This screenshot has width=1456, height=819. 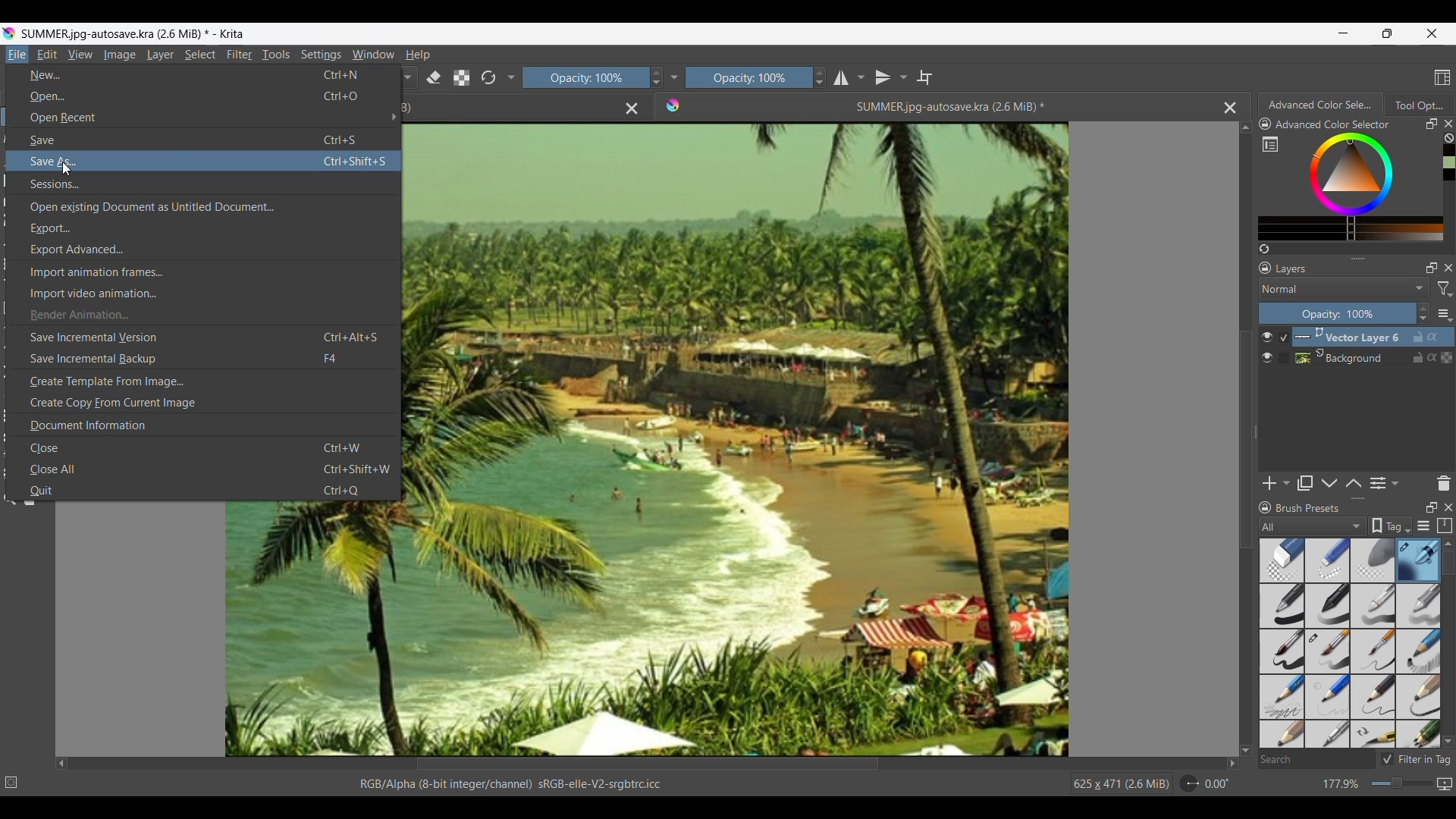 I want to click on Save incremental backup, so click(x=204, y=359).